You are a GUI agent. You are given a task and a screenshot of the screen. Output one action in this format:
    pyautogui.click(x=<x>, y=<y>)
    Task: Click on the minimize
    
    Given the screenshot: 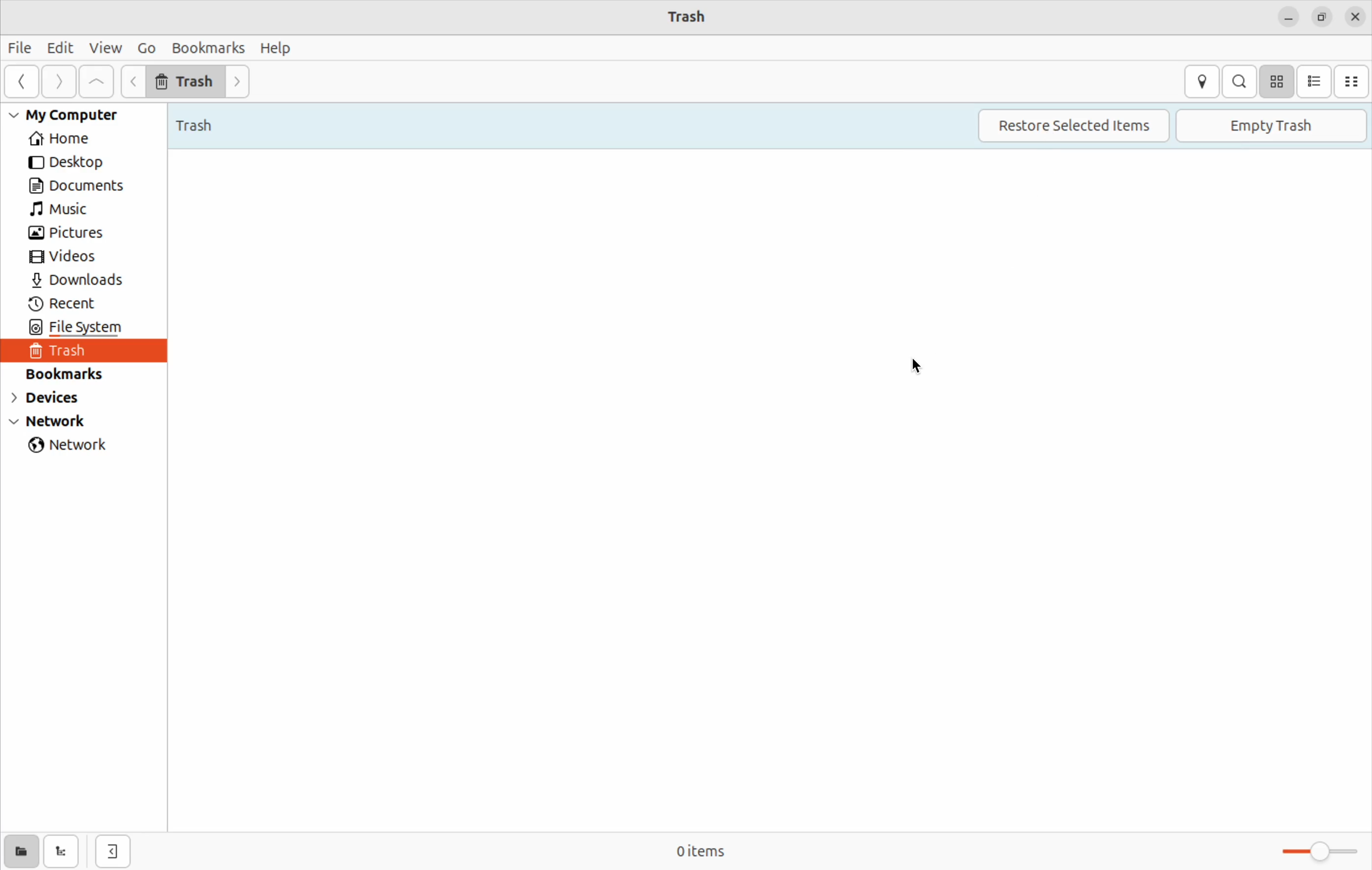 What is the action you would take?
    pyautogui.click(x=1288, y=18)
    